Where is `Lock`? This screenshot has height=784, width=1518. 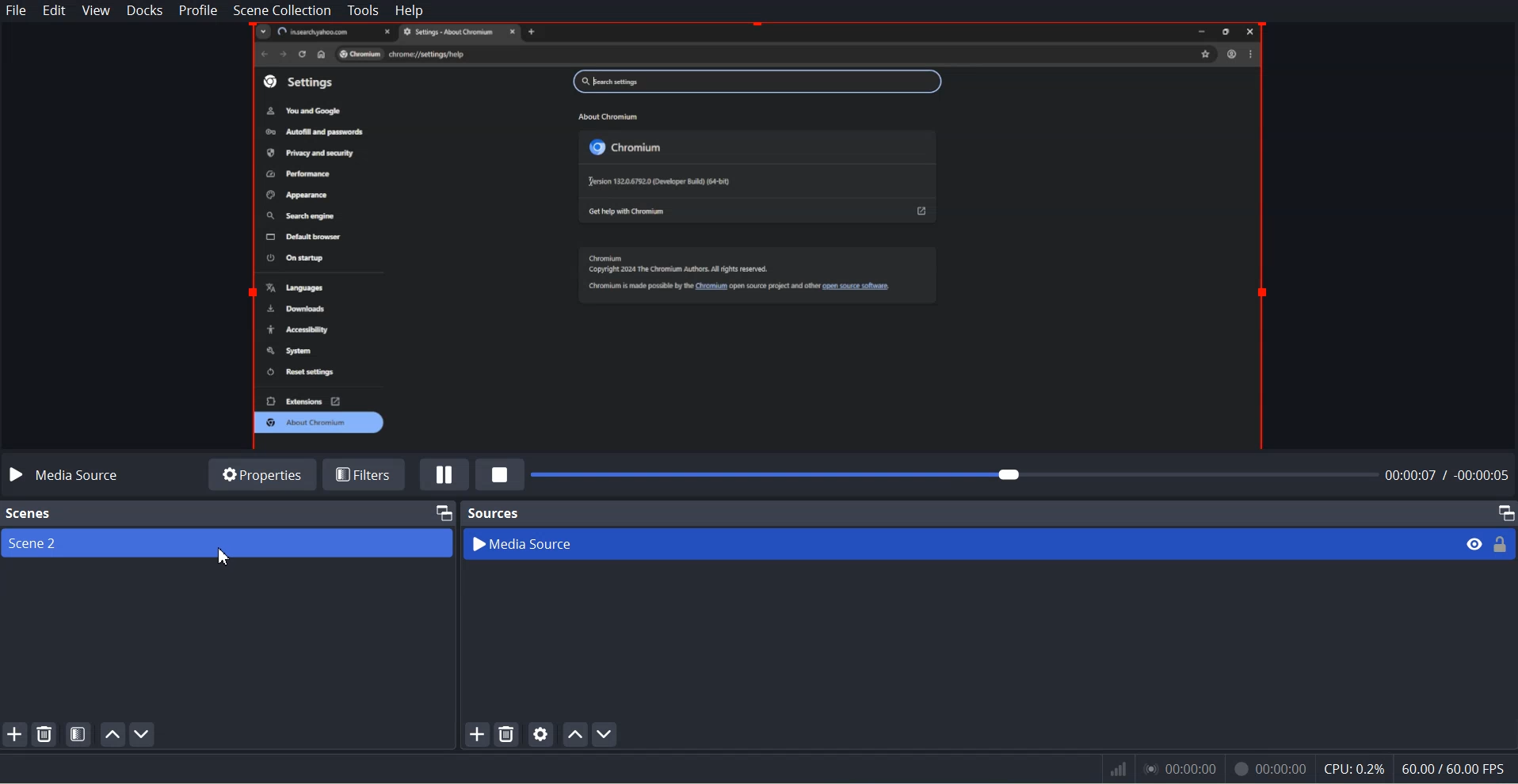
Lock is located at coordinates (1501, 543).